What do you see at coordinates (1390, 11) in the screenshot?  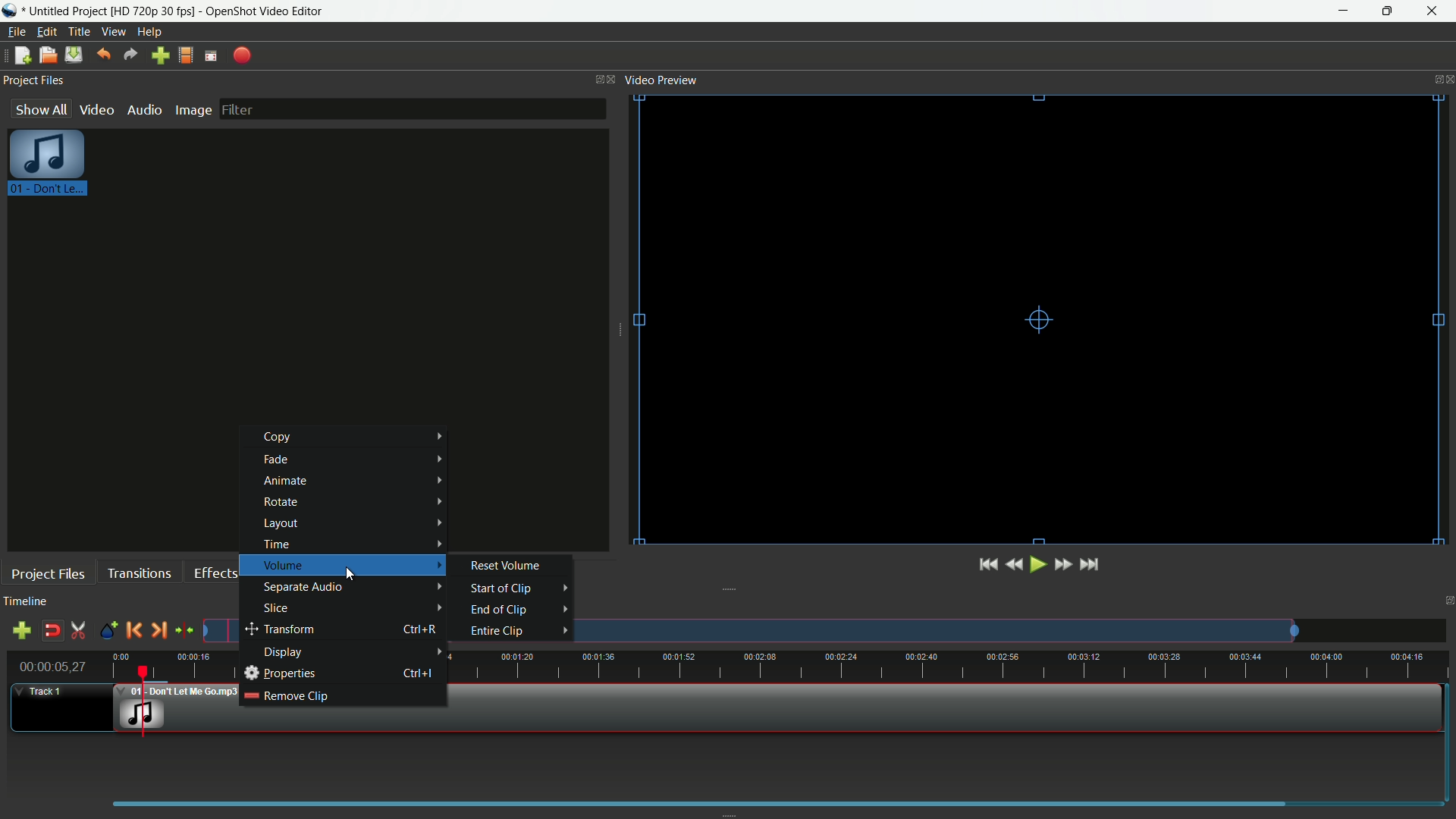 I see `maximize` at bounding box center [1390, 11].